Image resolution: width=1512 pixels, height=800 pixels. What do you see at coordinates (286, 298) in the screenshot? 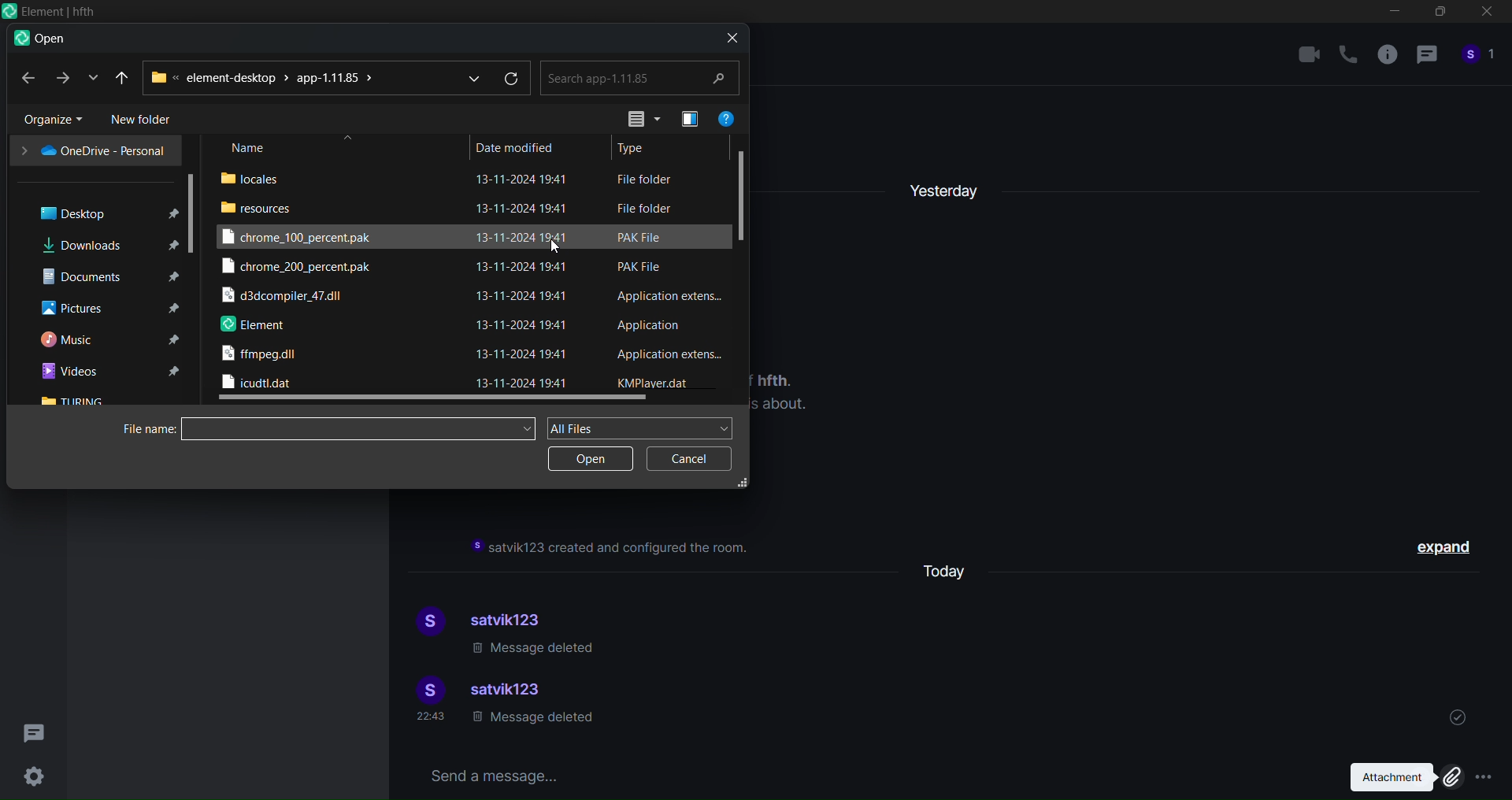
I see `d3 dll` at bounding box center [286, 298].